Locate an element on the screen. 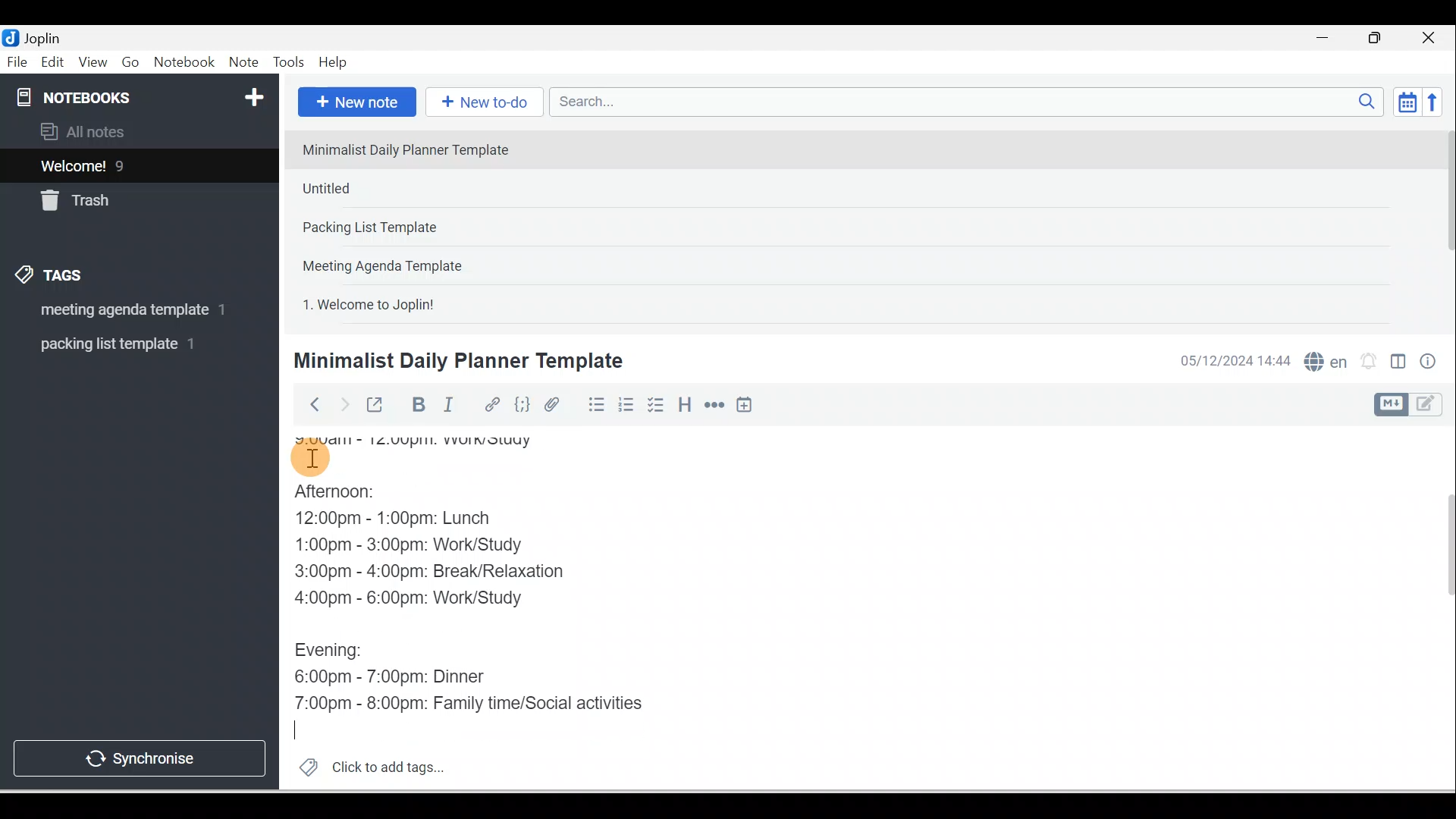 The height and width of the screenshot is (819, 1456). Forward is located at coordinates (343, 403).